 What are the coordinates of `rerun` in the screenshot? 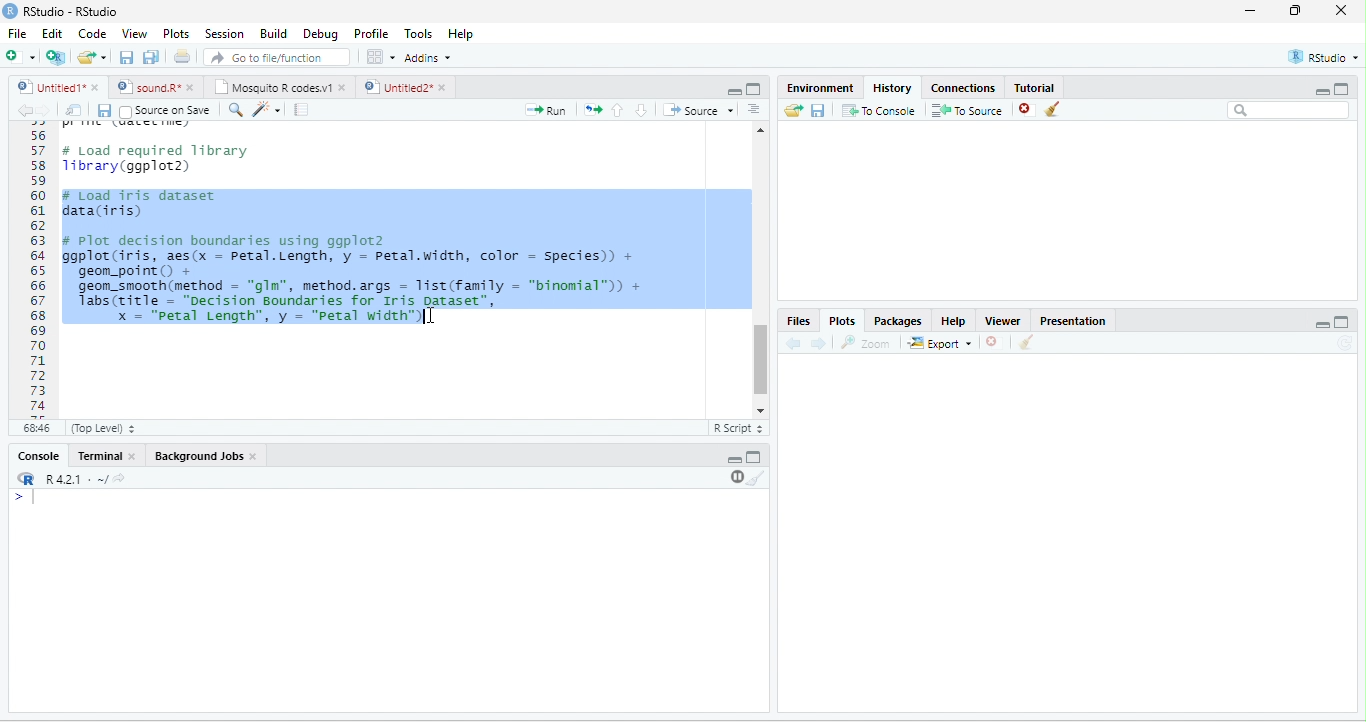 It's located at (592, 110).